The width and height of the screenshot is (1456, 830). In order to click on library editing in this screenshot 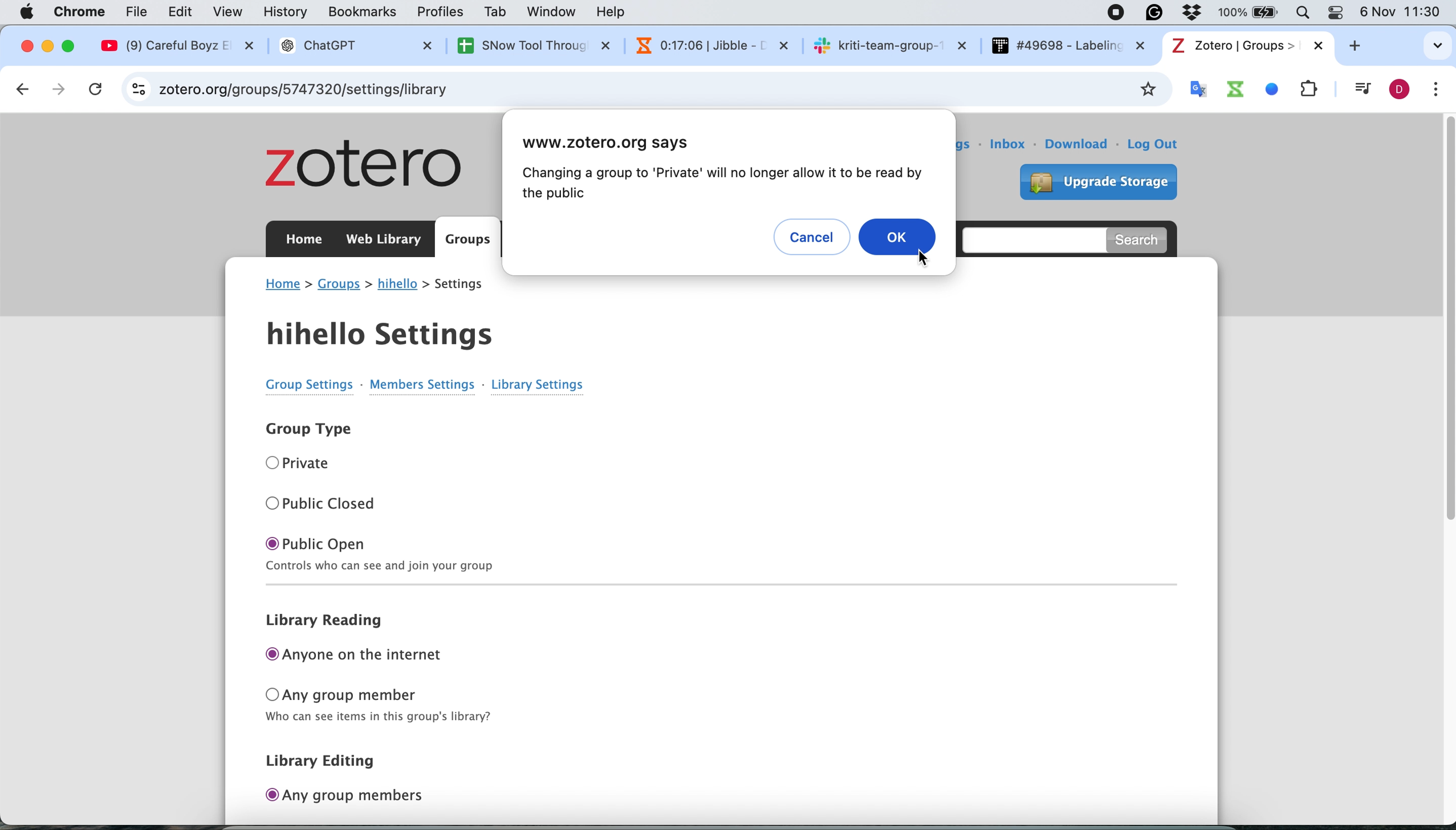, I will do `click(334, 761)`.